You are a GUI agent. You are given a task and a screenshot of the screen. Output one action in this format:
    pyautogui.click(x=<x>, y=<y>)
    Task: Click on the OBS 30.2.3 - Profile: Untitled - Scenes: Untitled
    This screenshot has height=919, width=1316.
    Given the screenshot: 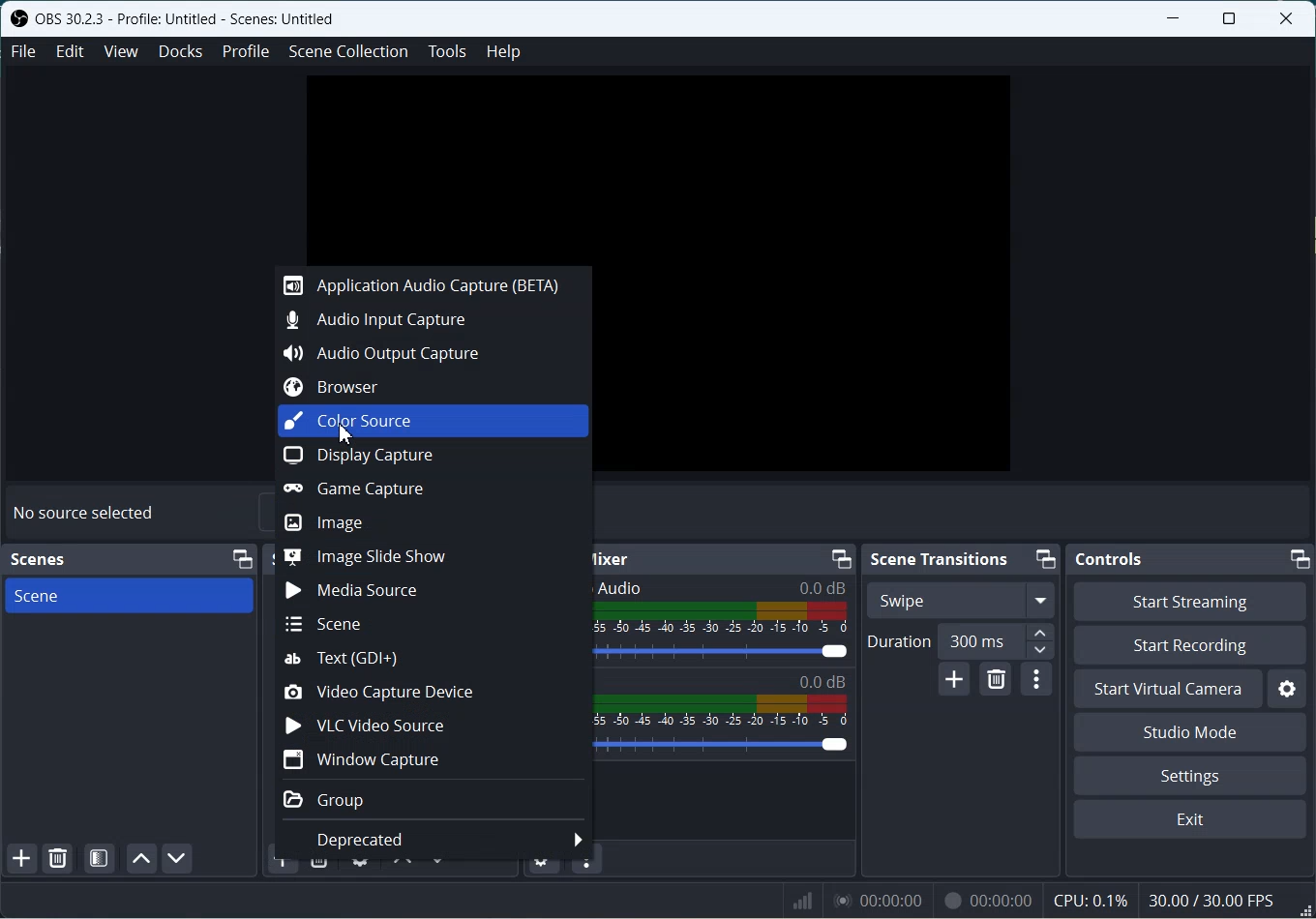 What is the action you would take?
    pyautogui.click(x=189, y=18)
    